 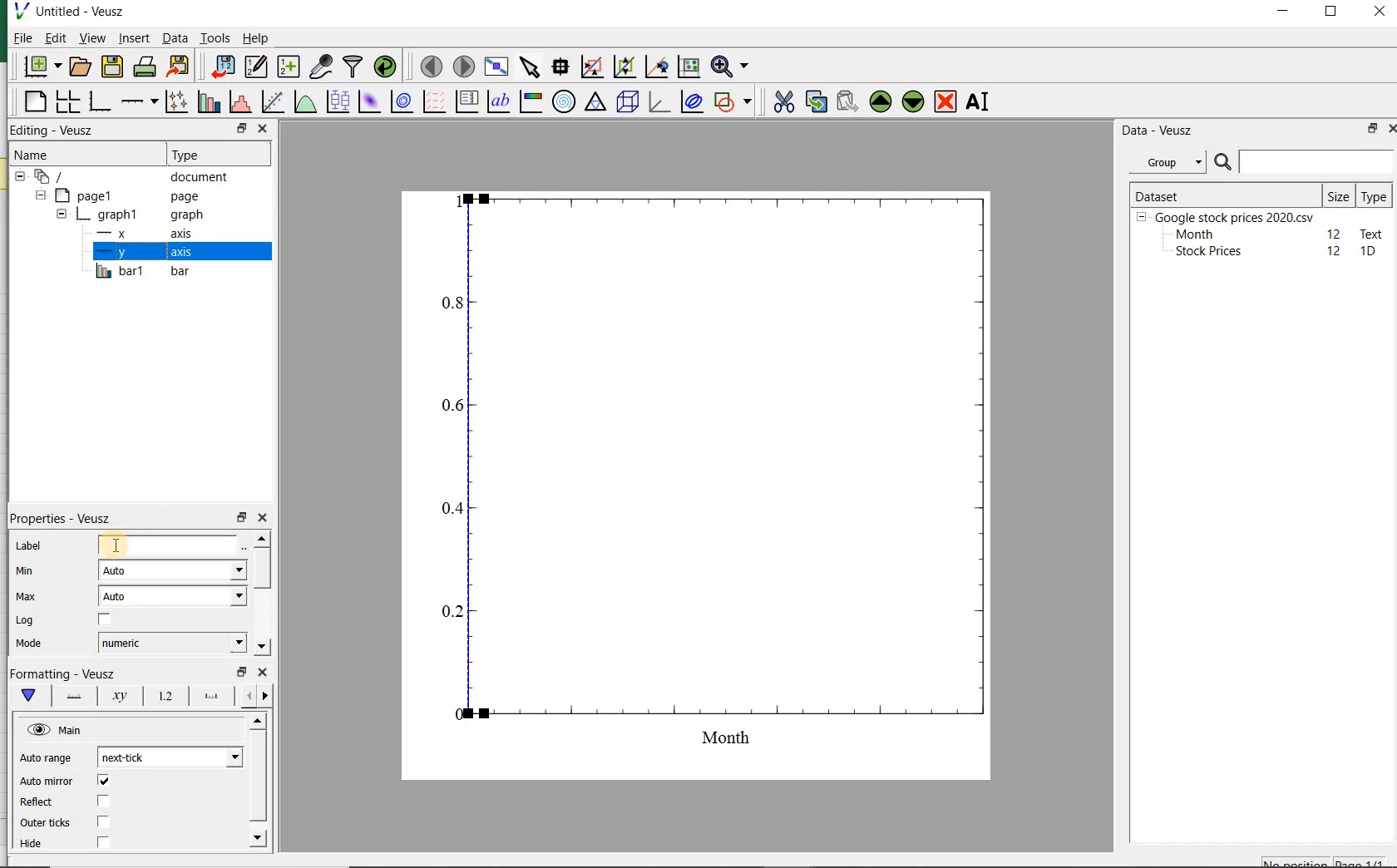 I want to click on axis label, so click(x=121, y=696).